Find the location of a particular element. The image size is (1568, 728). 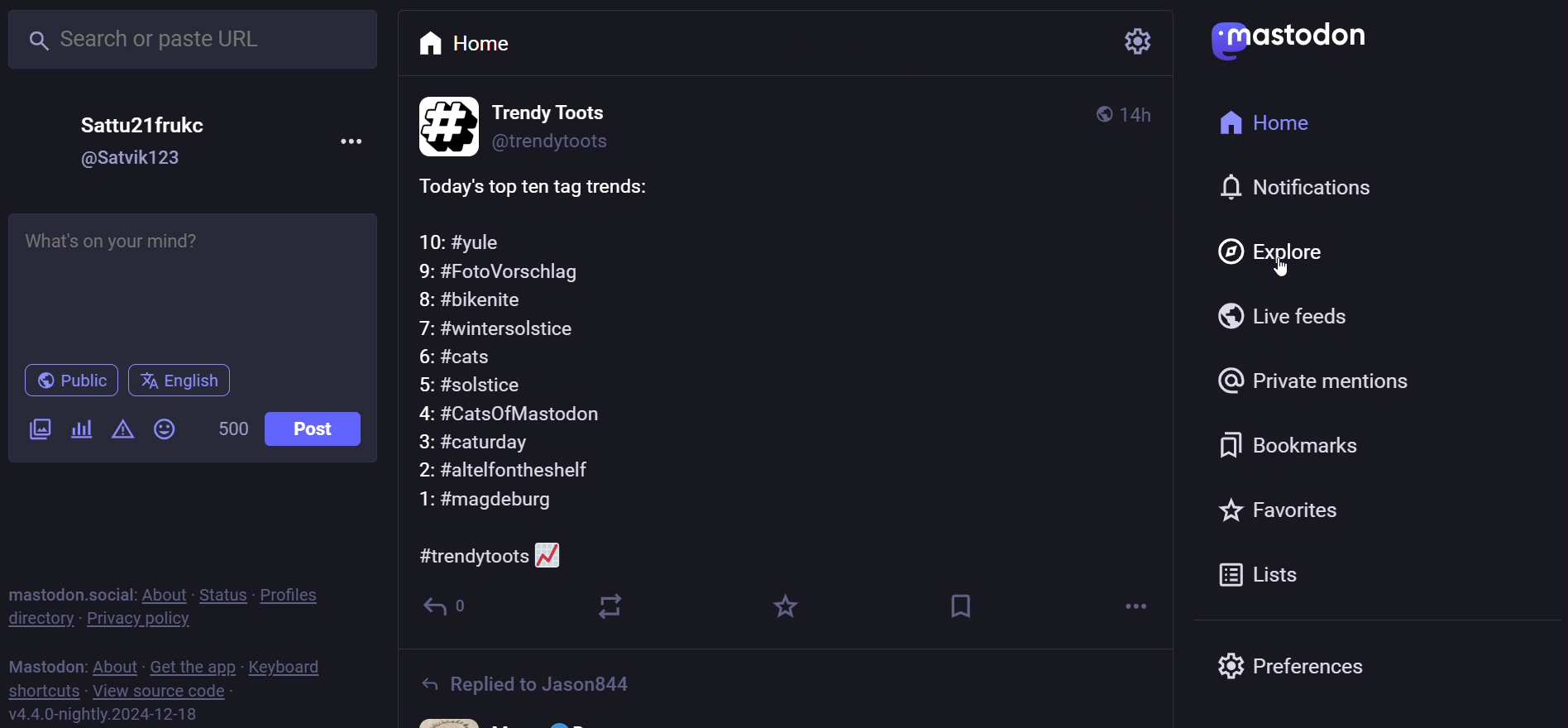

more is located at coordinates (354, 141).